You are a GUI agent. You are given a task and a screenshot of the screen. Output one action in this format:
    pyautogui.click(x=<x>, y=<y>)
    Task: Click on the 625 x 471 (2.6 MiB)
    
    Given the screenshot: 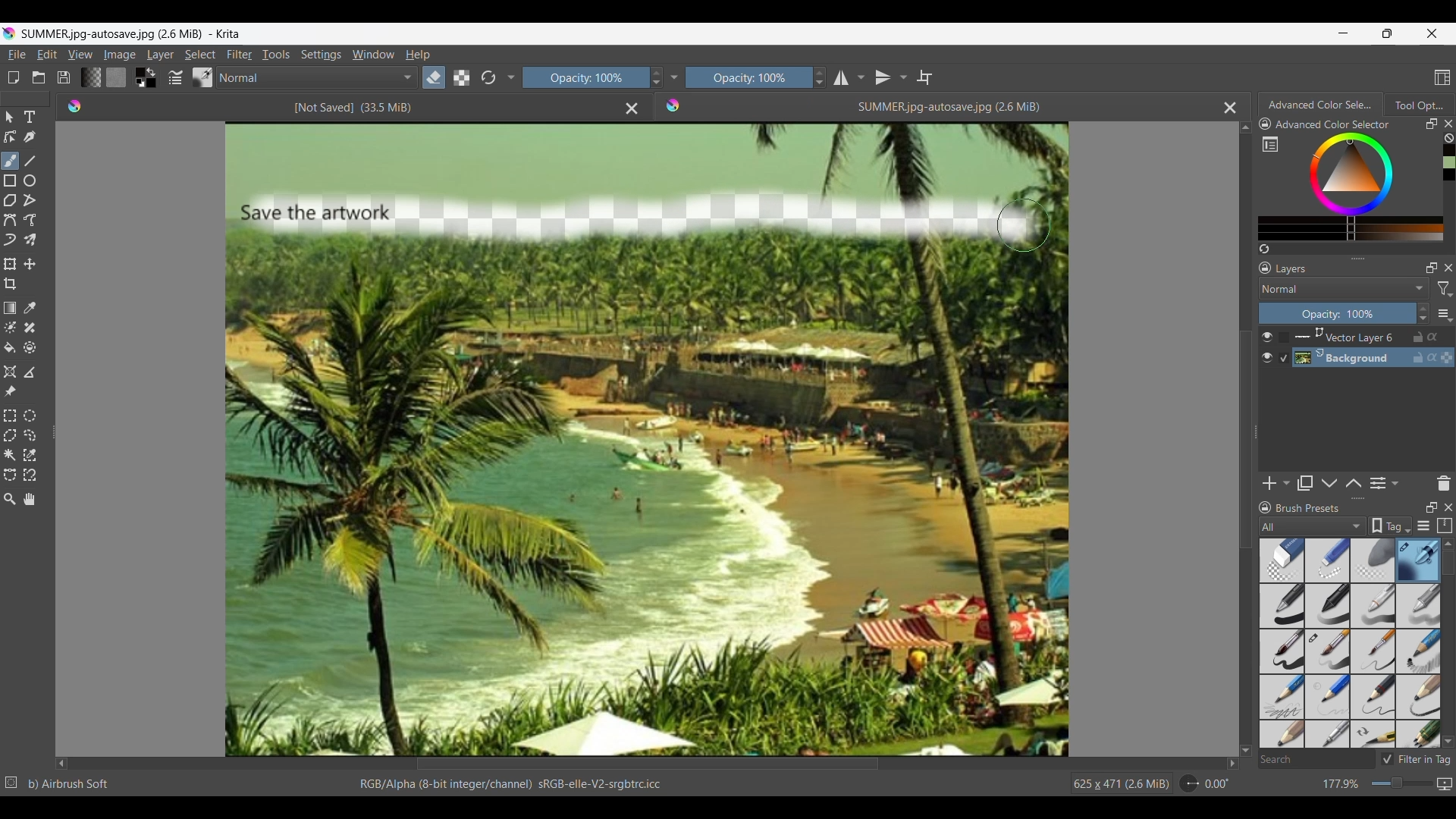 What is the action you would take?
    pyautogui.click(x=1119, y=784)
    